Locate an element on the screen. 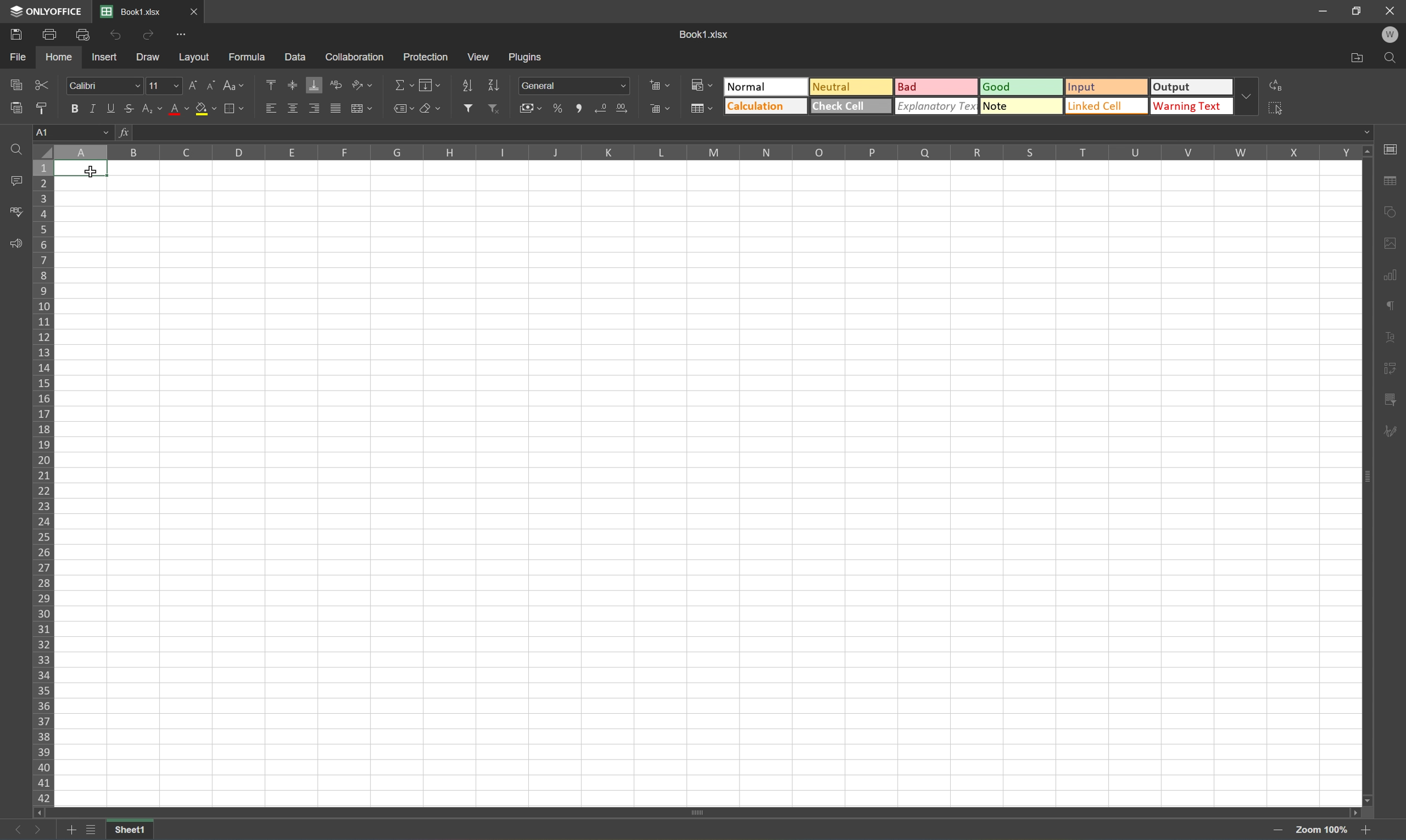 Image resolution: width=1406 pixels, height=840 pixels. Slide settings is located at coordinates (1393, 149).